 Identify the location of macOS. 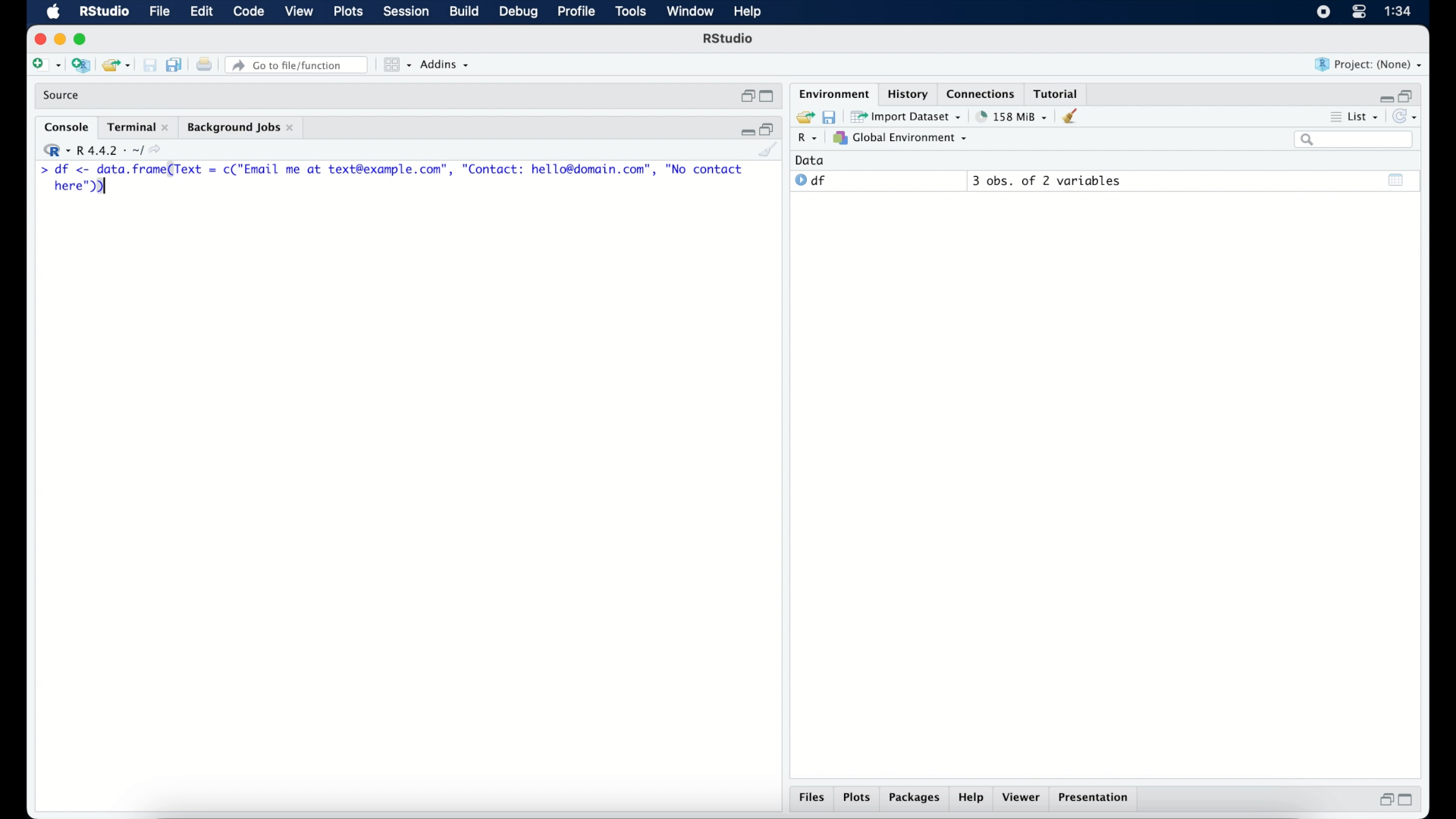
(52, 12).